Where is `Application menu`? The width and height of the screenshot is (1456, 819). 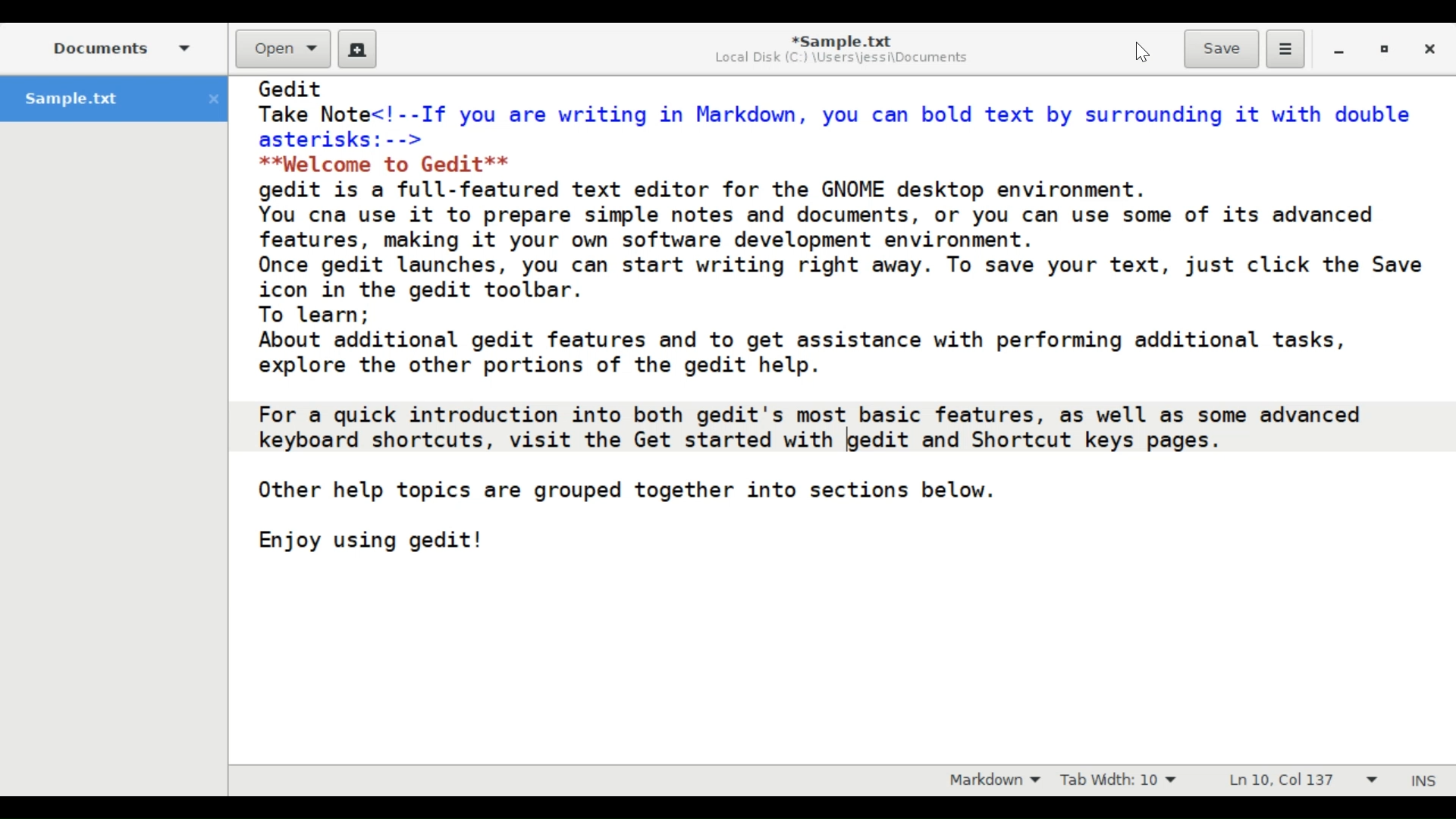
Application menu is located at coordinates (1286, 50).